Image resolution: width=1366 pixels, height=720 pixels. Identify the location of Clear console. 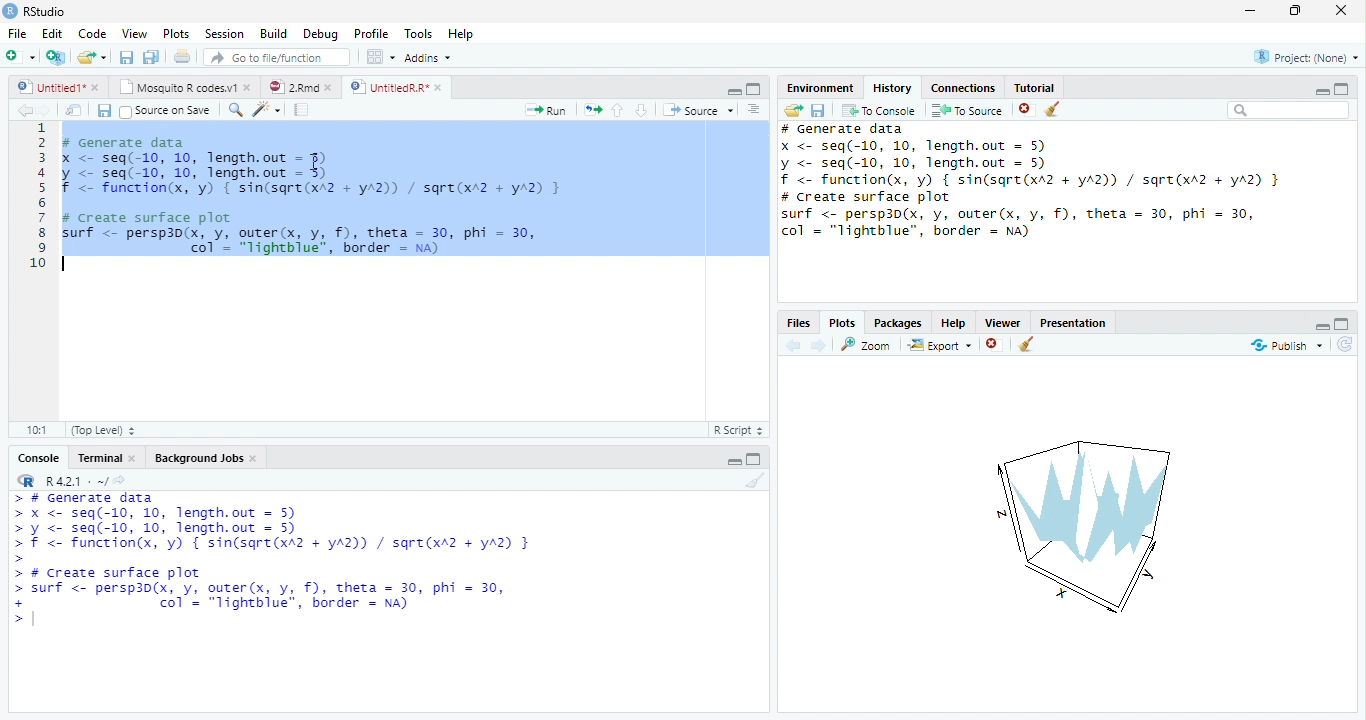
(756, 480).